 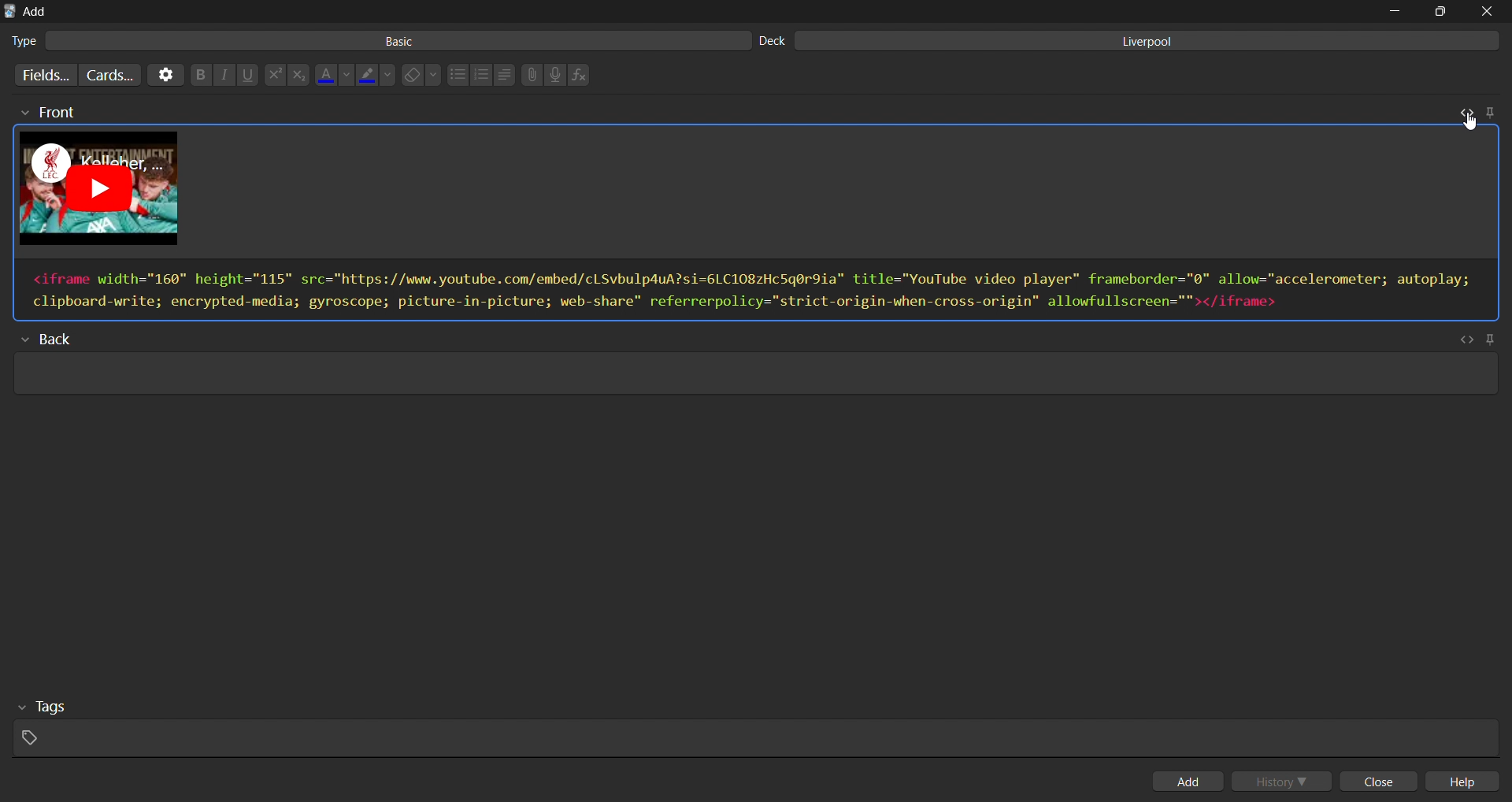 I want to click on back, so click(x=52, y=340).